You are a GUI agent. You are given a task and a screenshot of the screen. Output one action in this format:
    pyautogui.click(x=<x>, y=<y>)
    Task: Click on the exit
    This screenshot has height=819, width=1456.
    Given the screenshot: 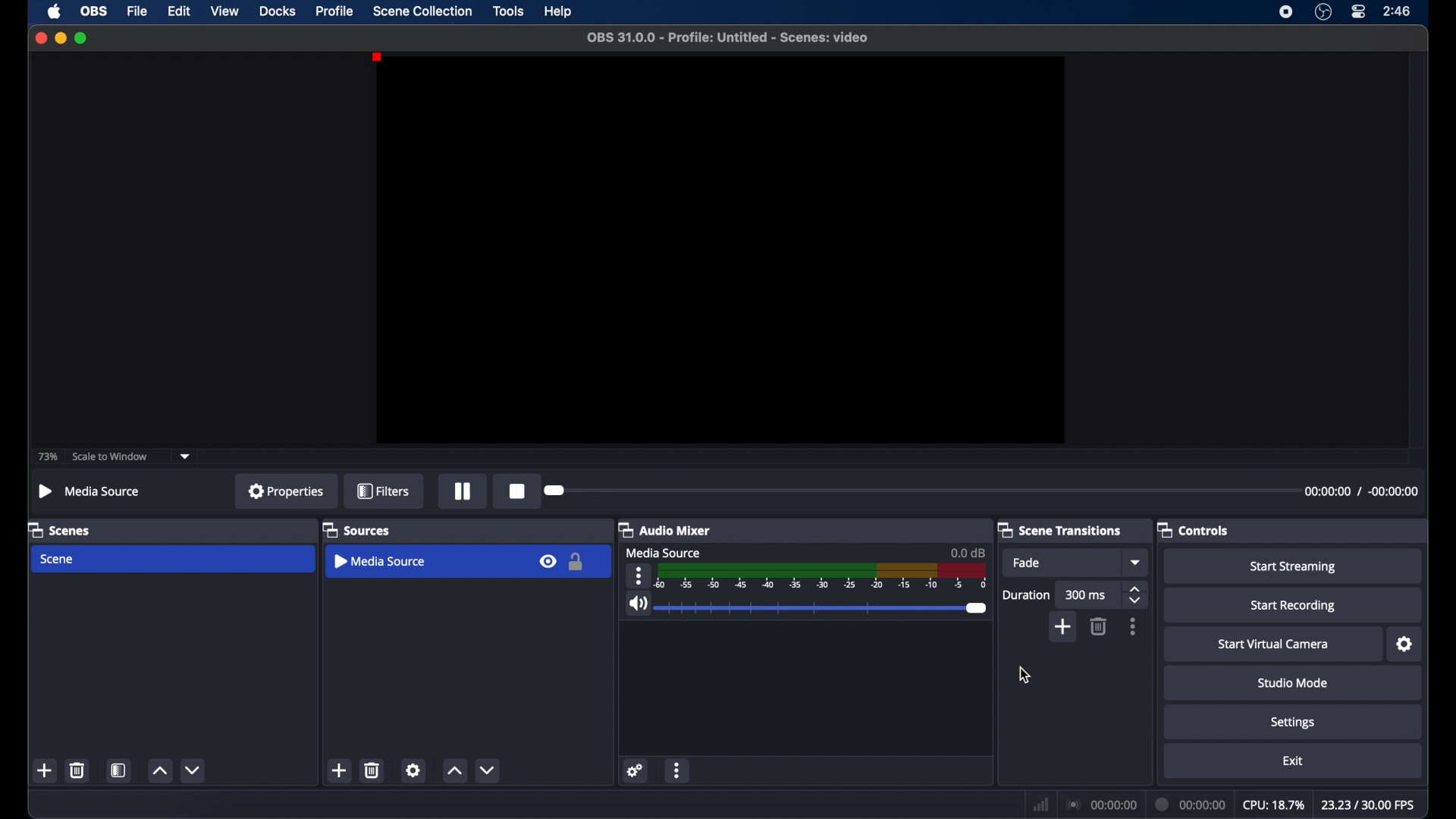 What is the action you would take?
    pyautogui.click(x=1293, y=761)
    